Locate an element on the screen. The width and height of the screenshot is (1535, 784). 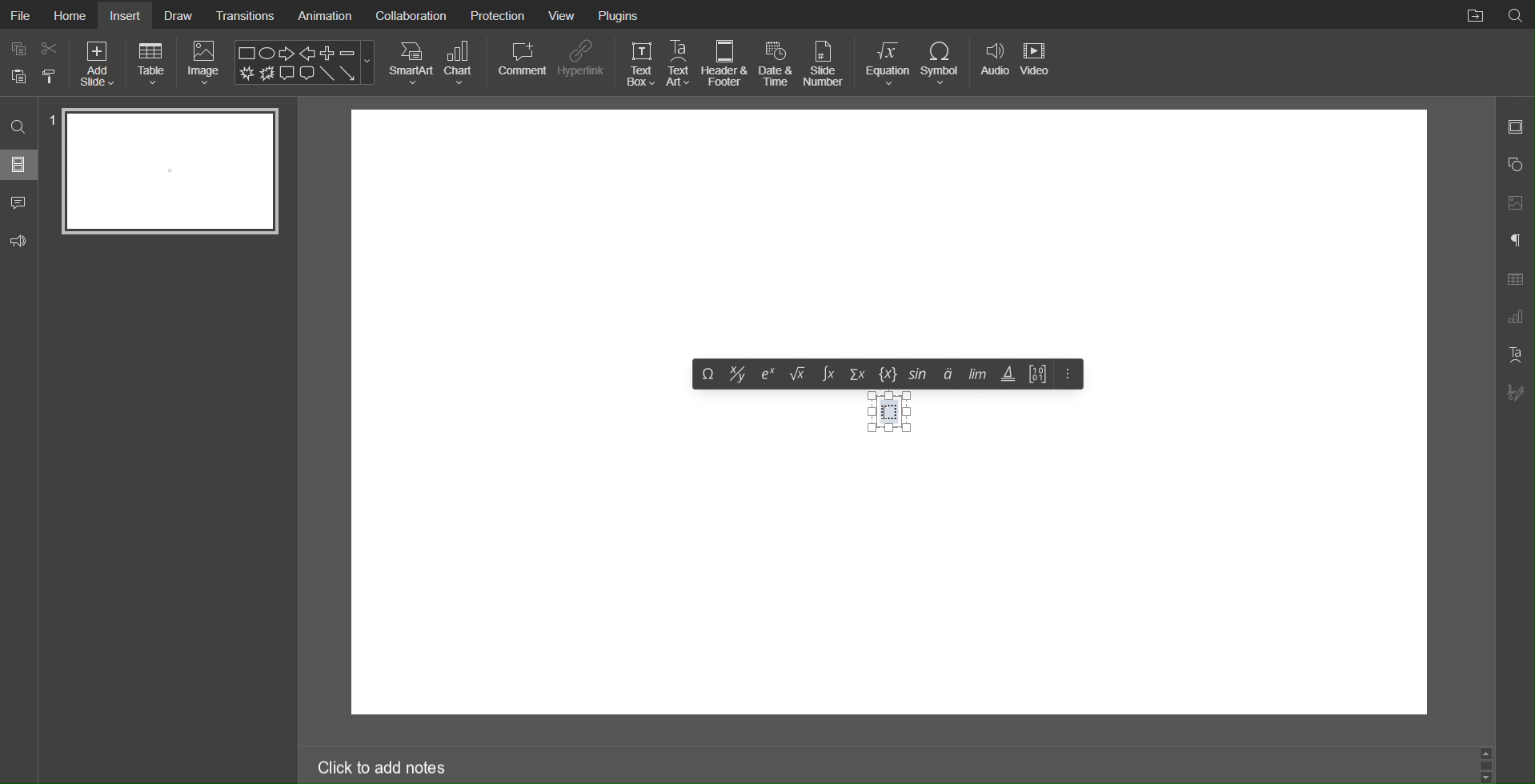
Trig is located at coordinates (1008, 374).